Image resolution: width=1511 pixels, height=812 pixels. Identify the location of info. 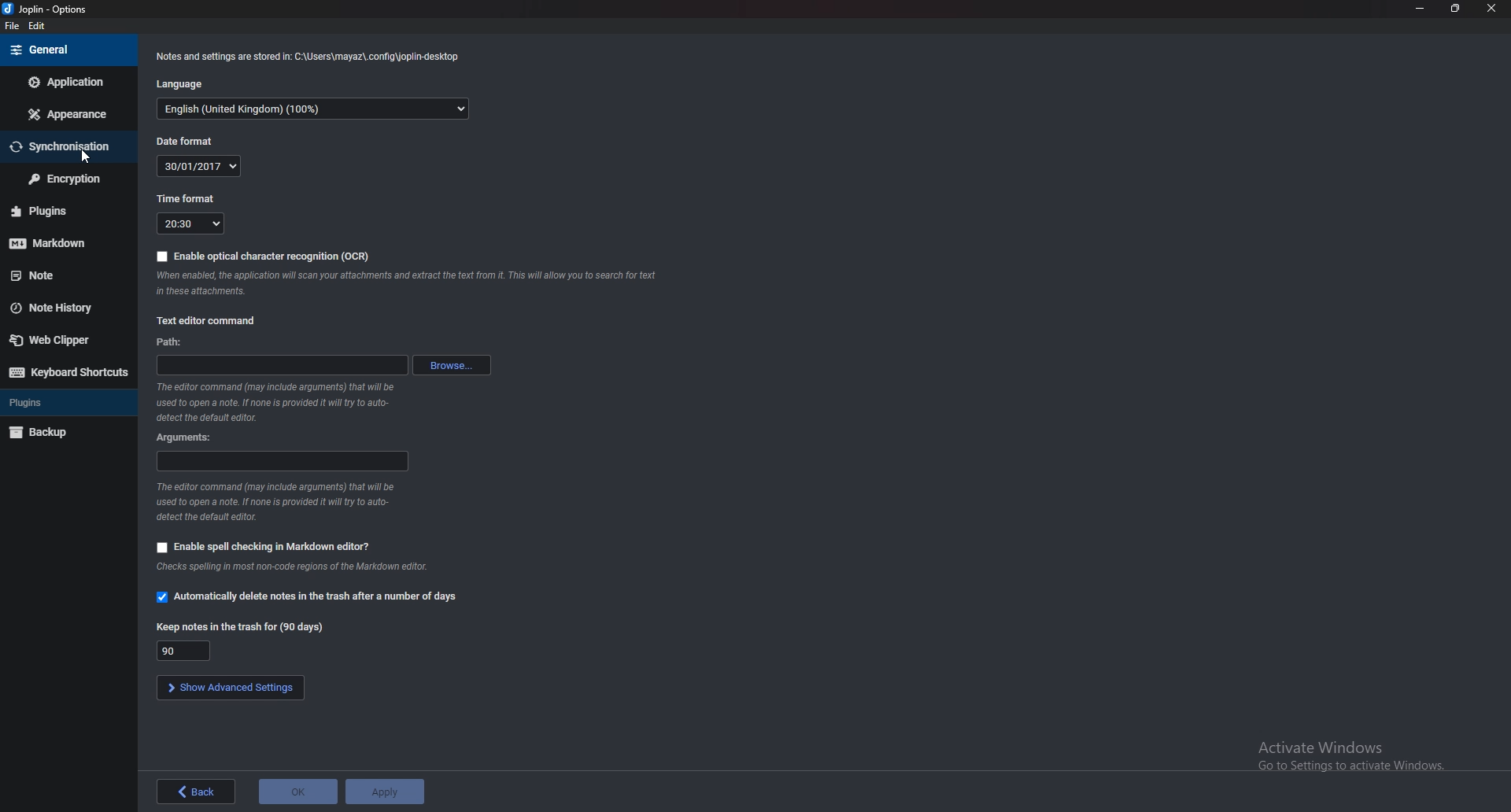
(274, 401).